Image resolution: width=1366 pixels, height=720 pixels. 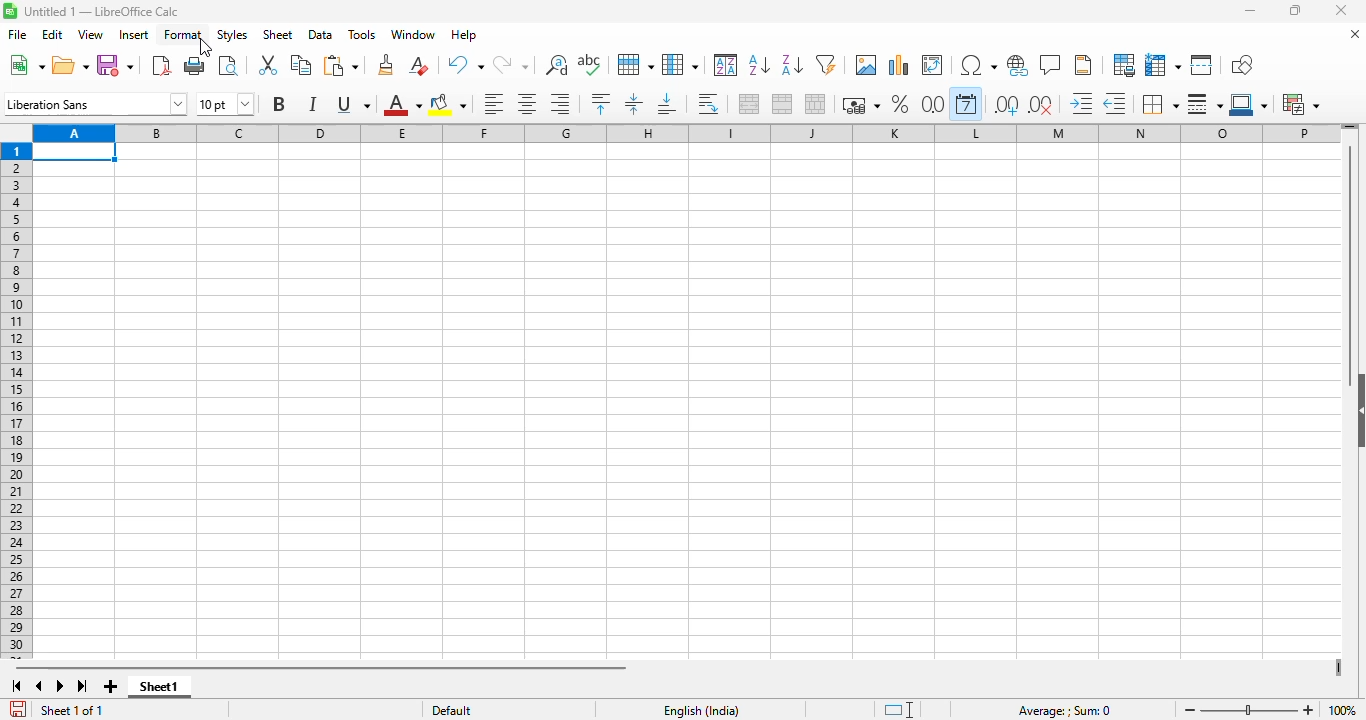 What do you see at coordinates (726, 64) in the screenshot?
I see `sort` at bounding box center [726, 64].